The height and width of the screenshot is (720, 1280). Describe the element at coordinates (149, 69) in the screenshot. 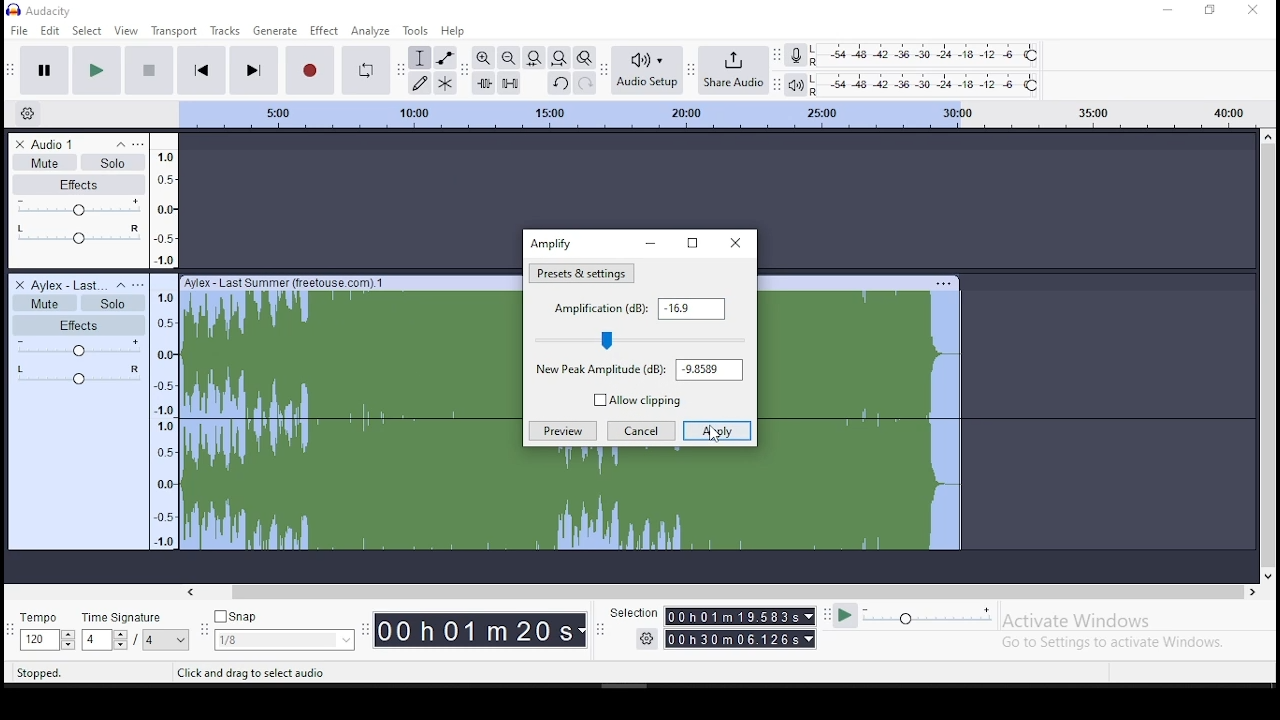

I see `stop` at that location.